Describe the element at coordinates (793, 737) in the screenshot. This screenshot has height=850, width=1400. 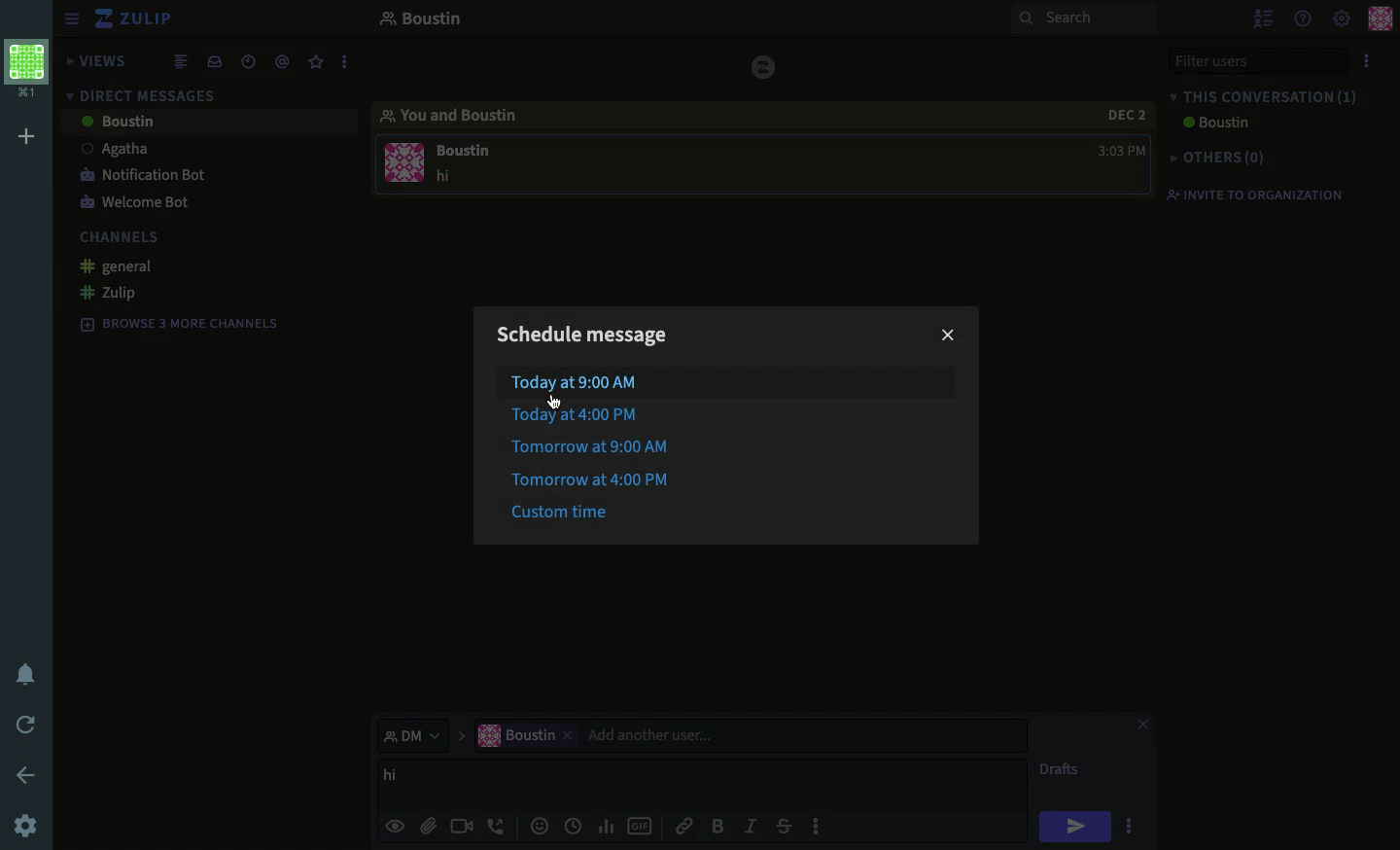
I see `add user` at that location.